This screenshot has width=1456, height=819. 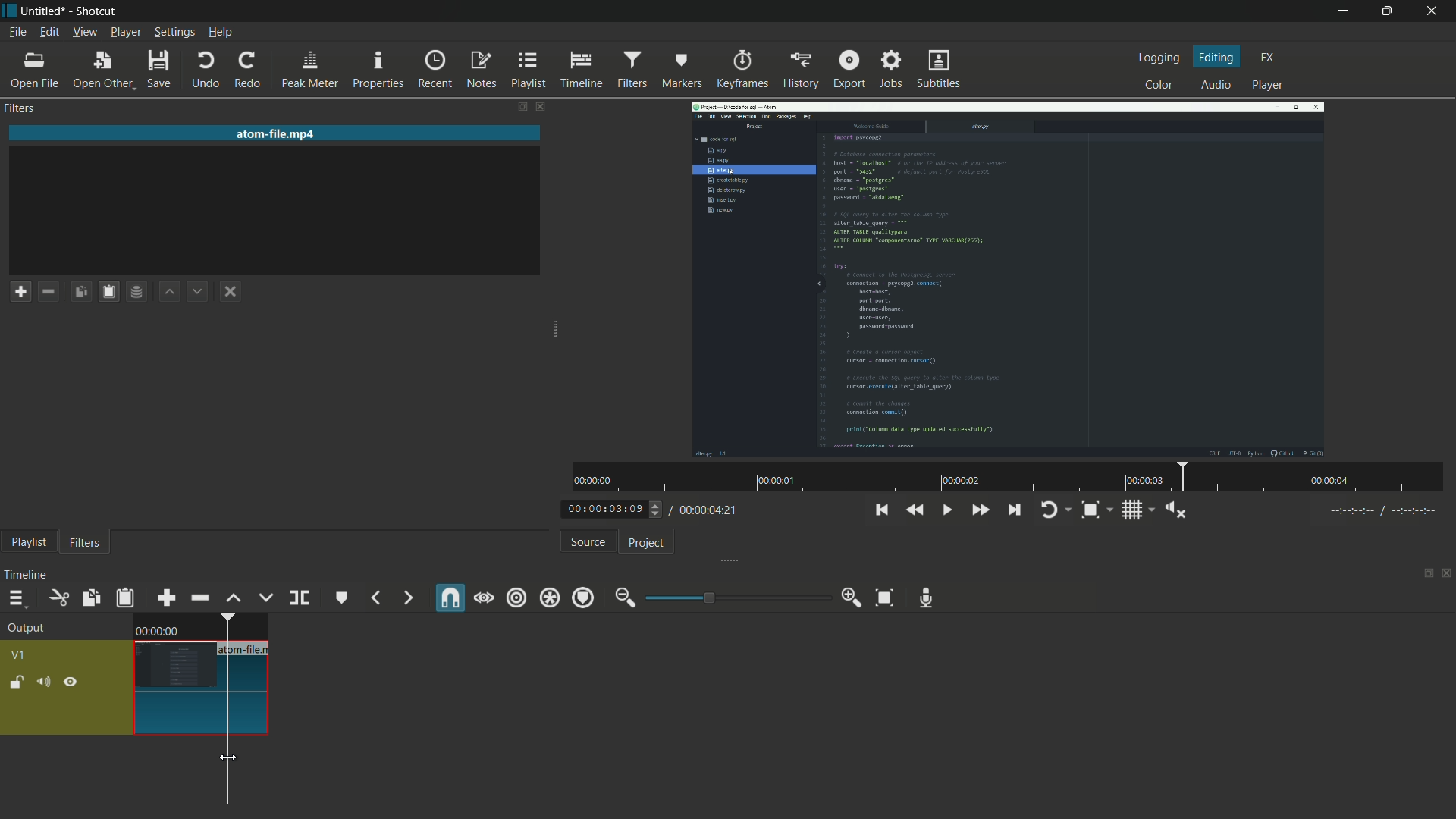 What do you see at coordinates (483, 70) in the screenshot?
I see `notes` at bounding box center [483, 70].